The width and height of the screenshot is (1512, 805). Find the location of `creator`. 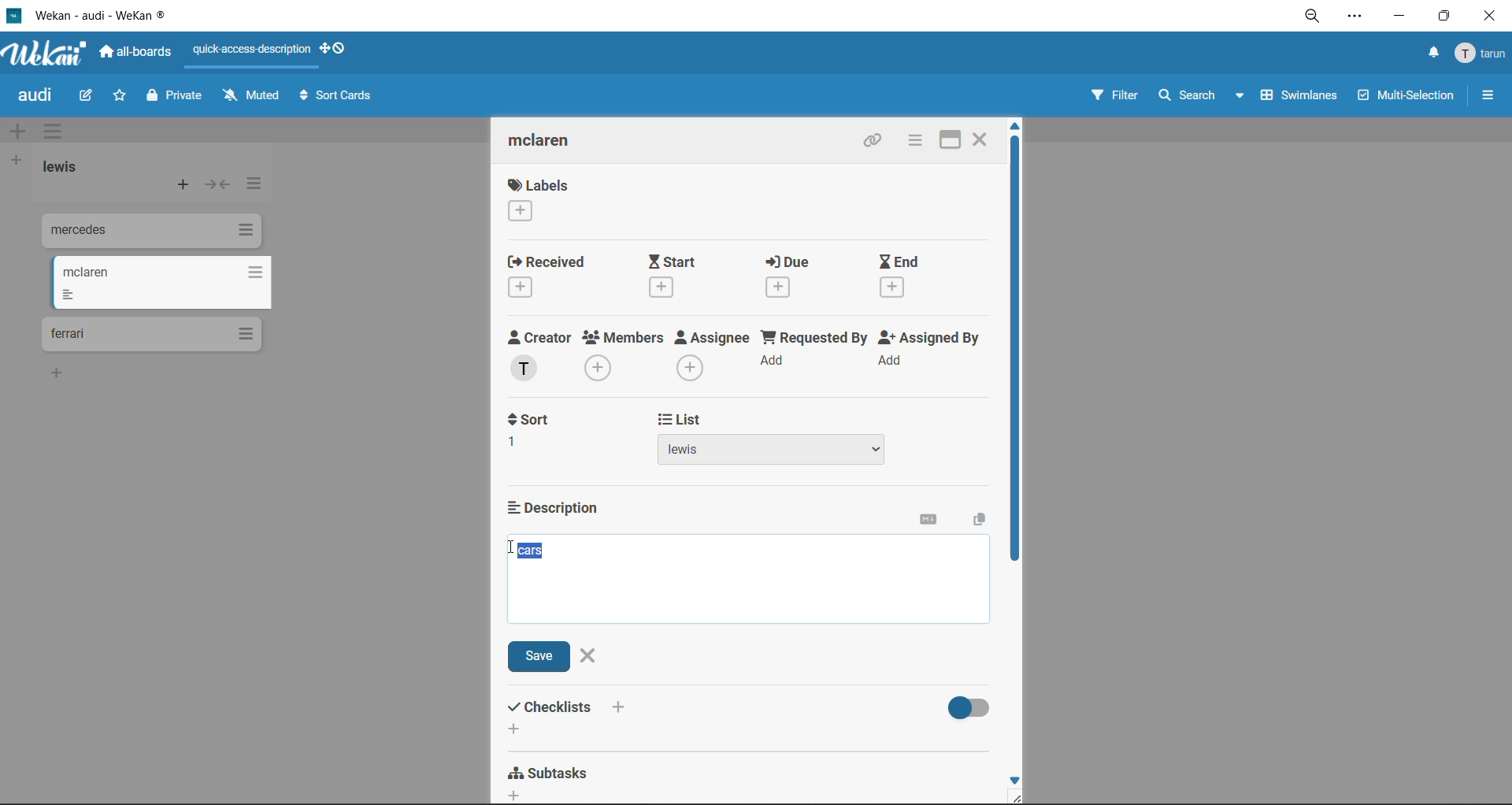

creator is located at coordinates (543, 356).